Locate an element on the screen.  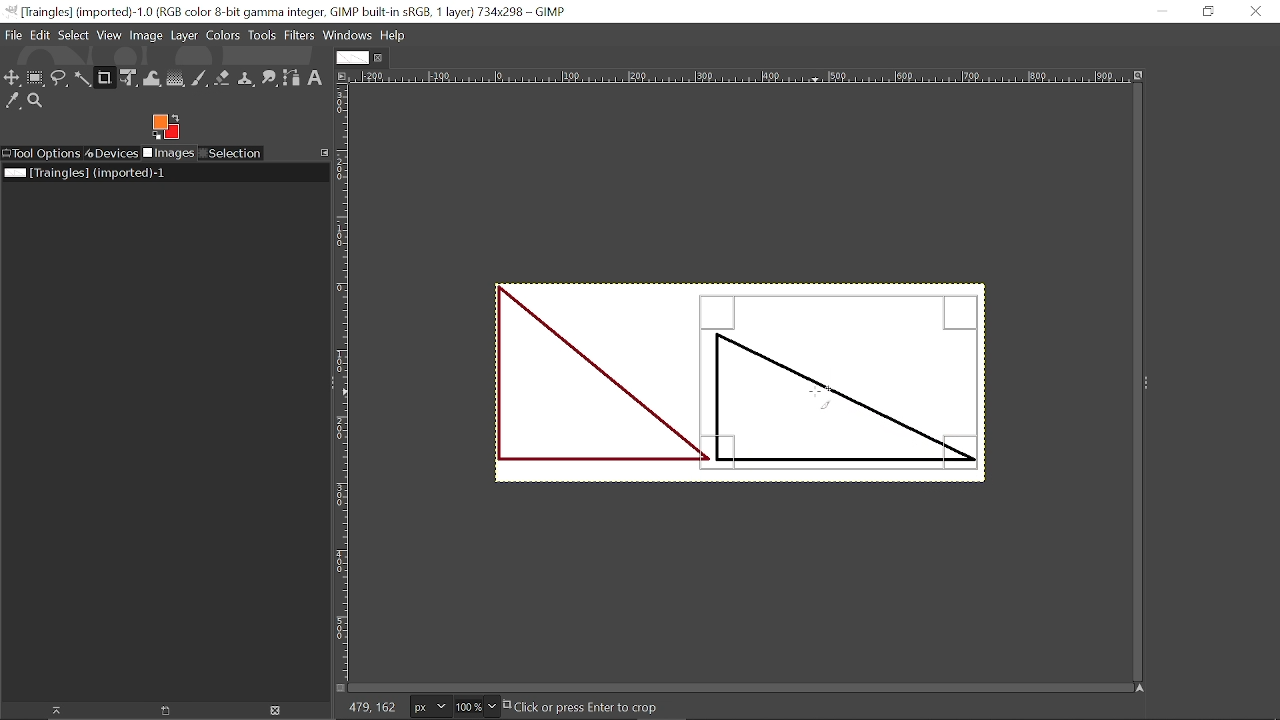
Tools is located at coordinates (262, 36).